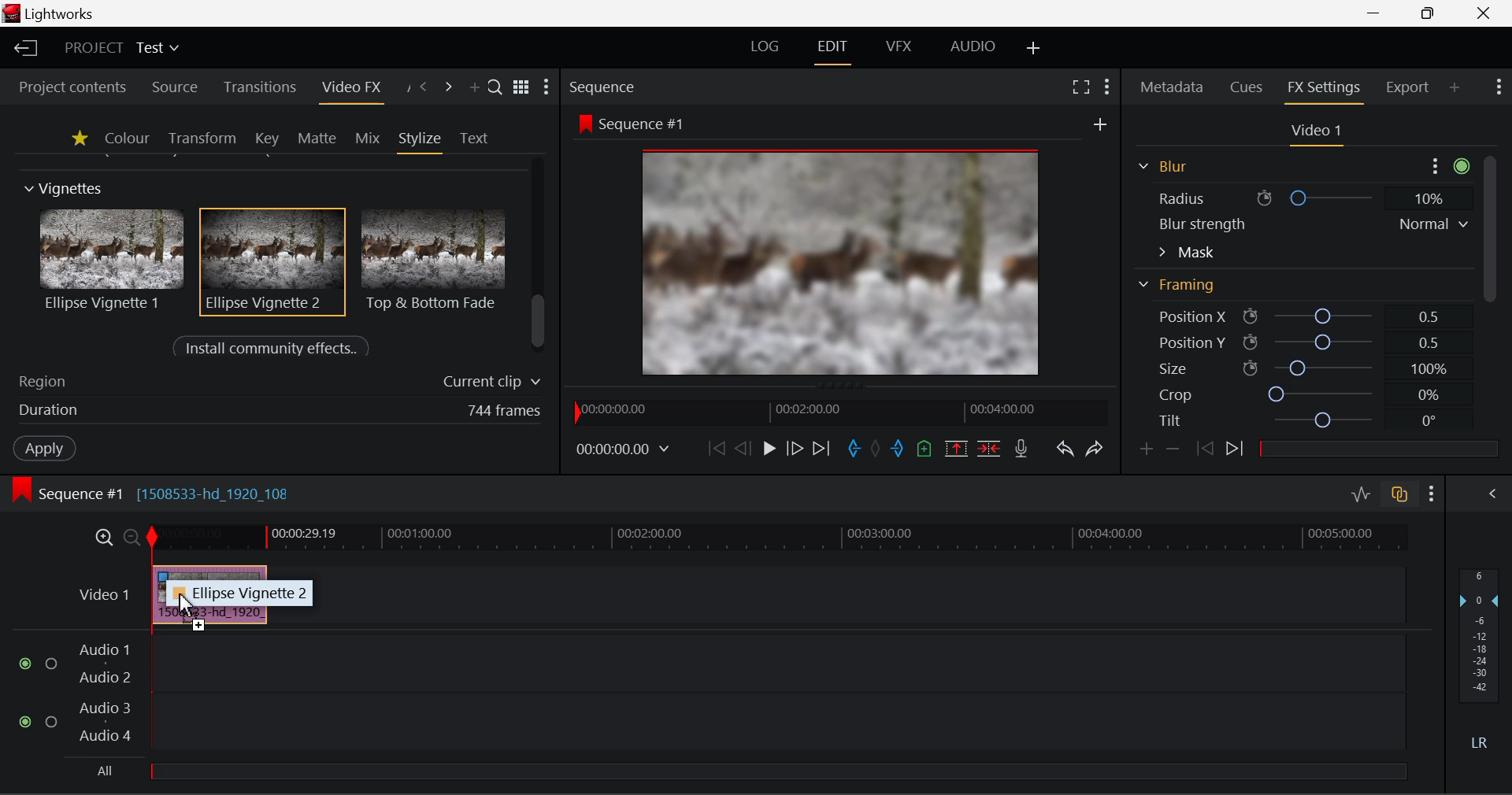 The height and width of the screenshot is (795, 1512). Describe the element at coordinates (101, 593) in the screenshot. I see `Video Layer` at that location.